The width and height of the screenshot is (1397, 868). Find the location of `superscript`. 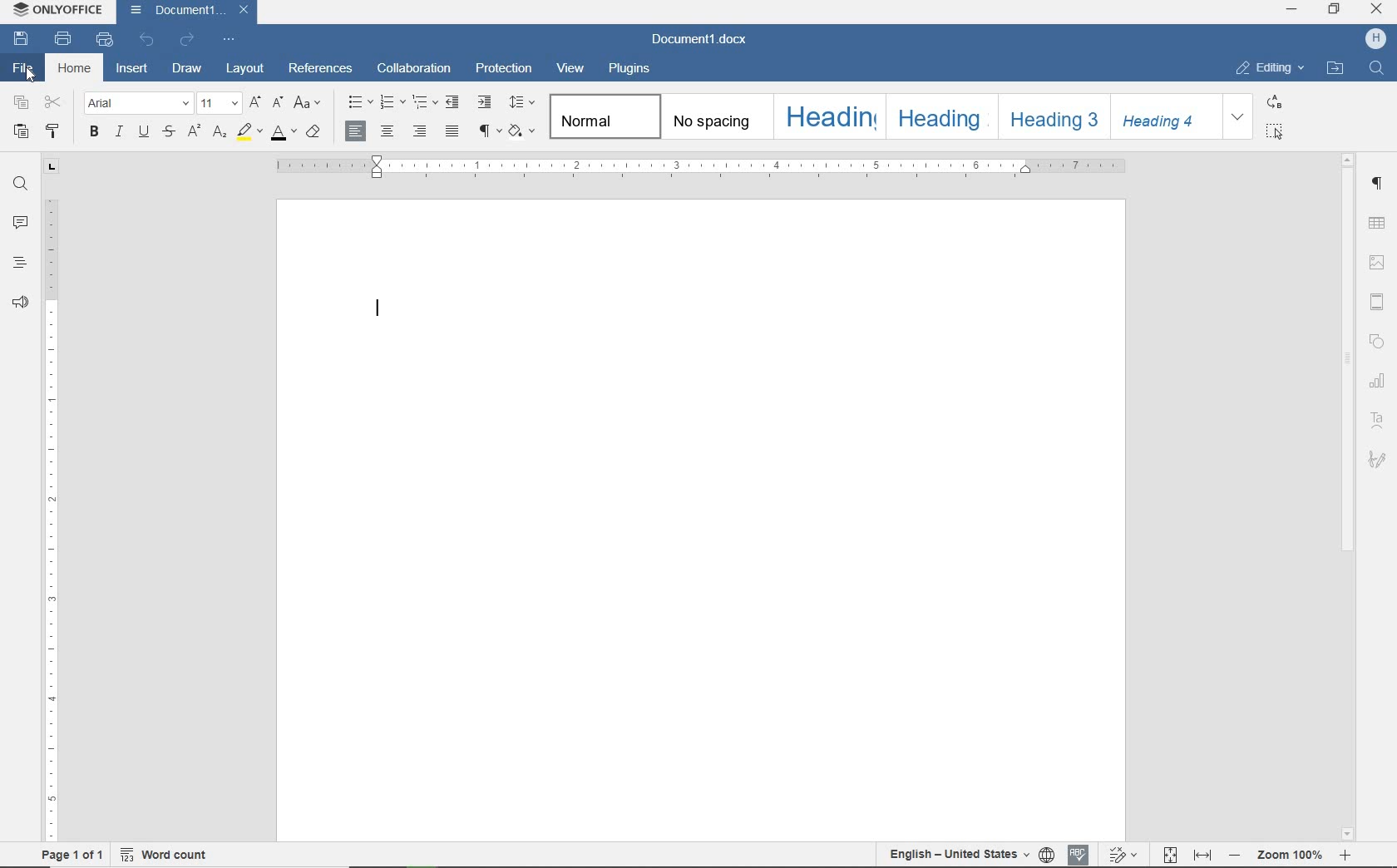

superscript is located at coordinates (194, 131).